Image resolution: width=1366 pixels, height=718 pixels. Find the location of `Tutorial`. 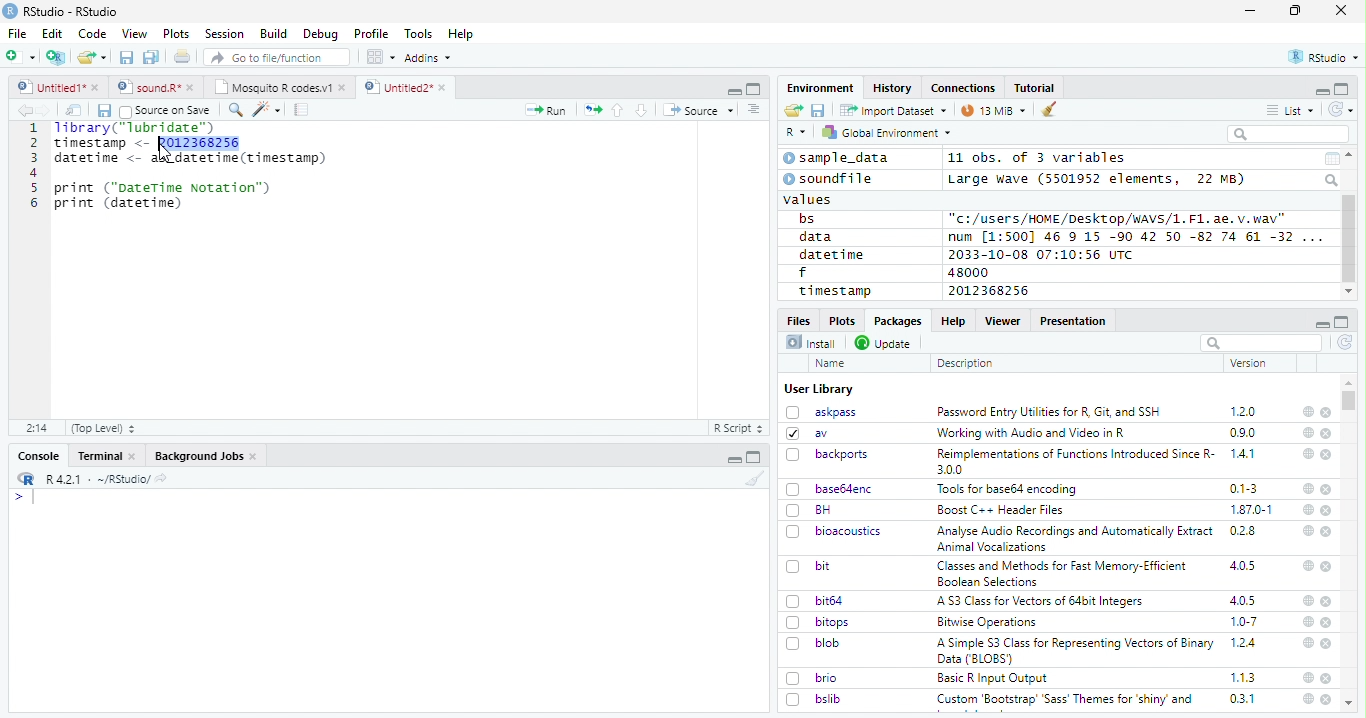

Tutorial is located at coordinates (1036, 88).